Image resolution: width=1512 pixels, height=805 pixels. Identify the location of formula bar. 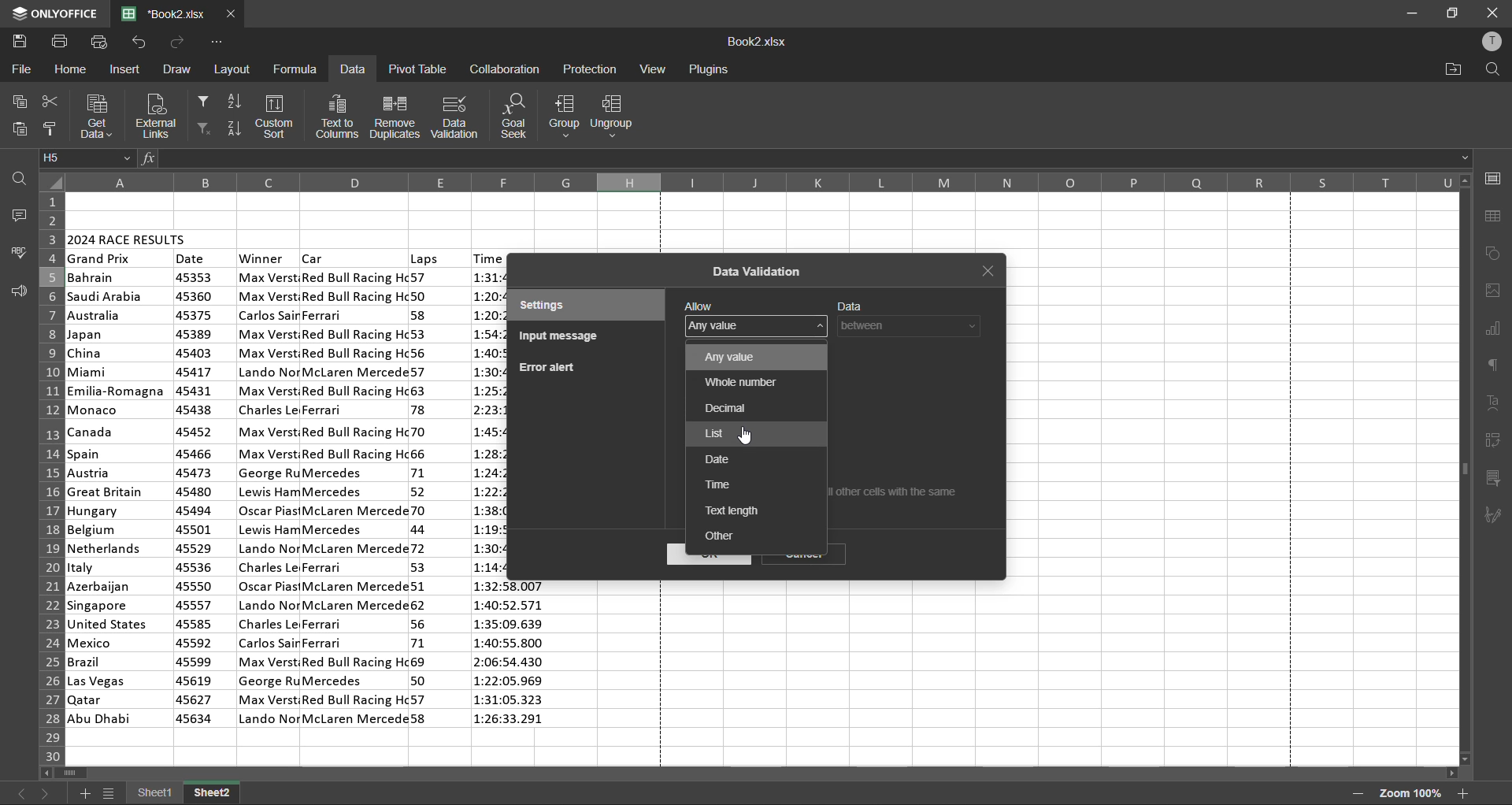
(811, 158).